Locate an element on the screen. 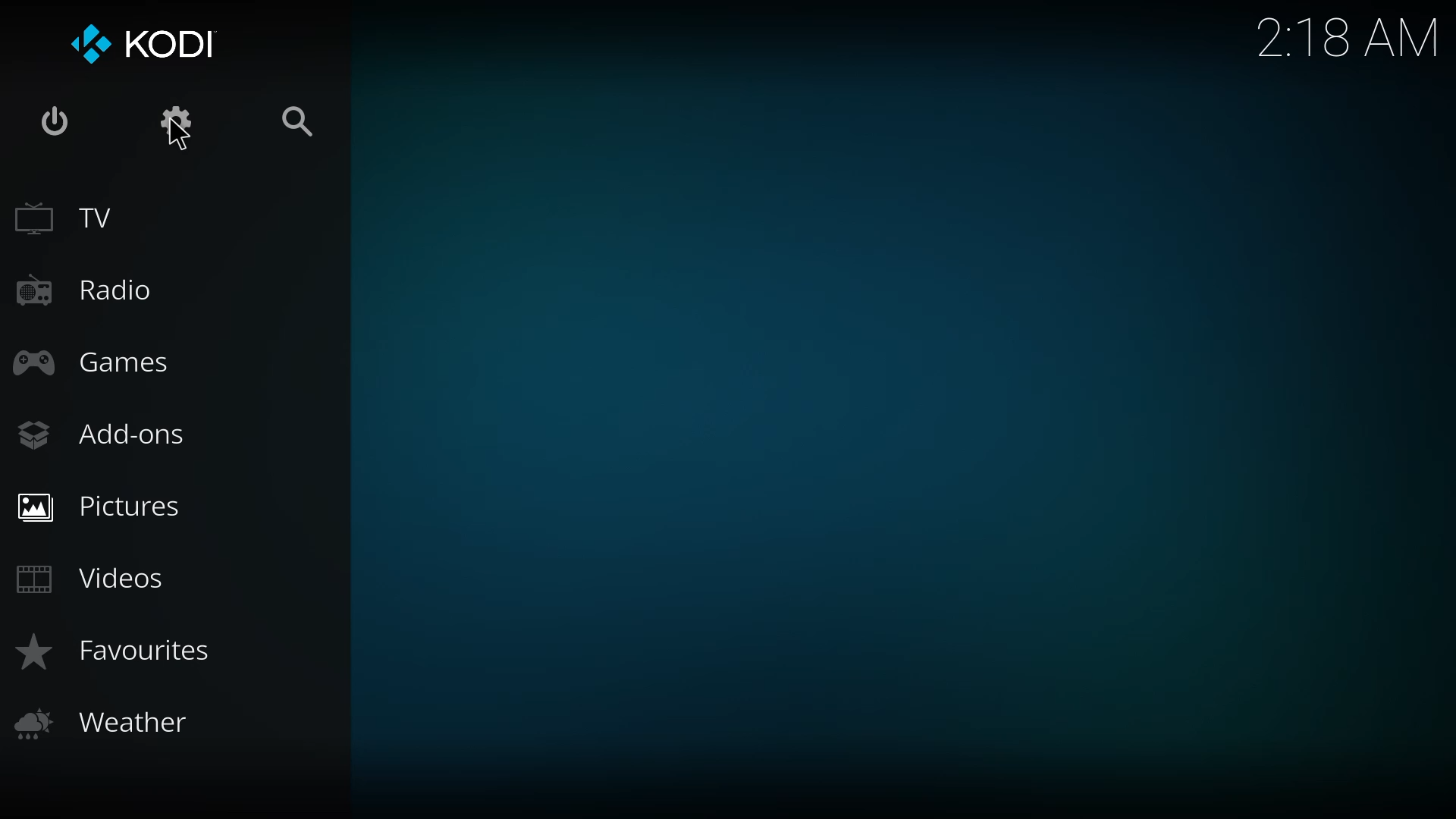 The image size is (1456, 819). games is located at coordinates (101, 362).